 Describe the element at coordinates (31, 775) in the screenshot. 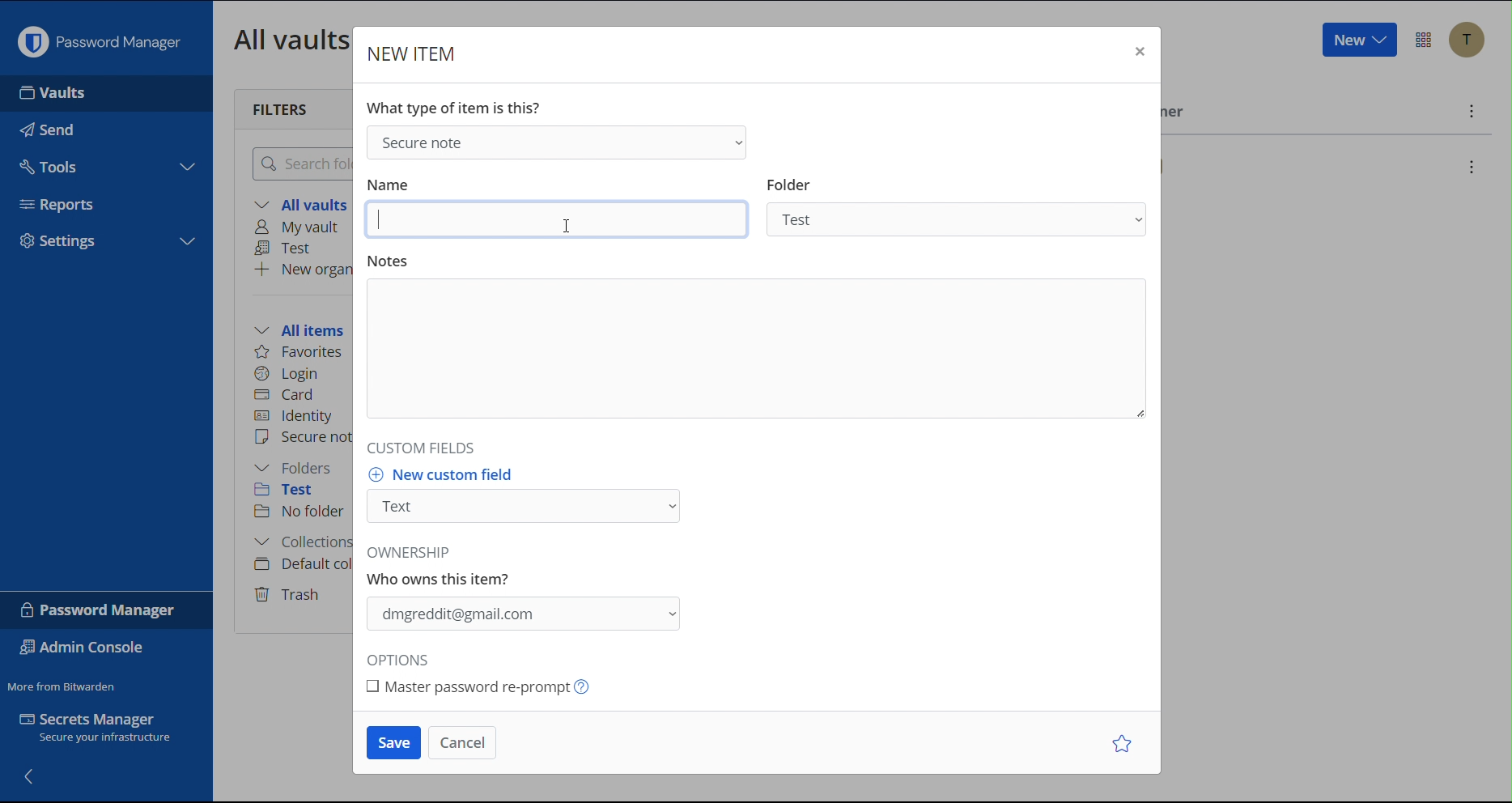

I see `Back` at that location.